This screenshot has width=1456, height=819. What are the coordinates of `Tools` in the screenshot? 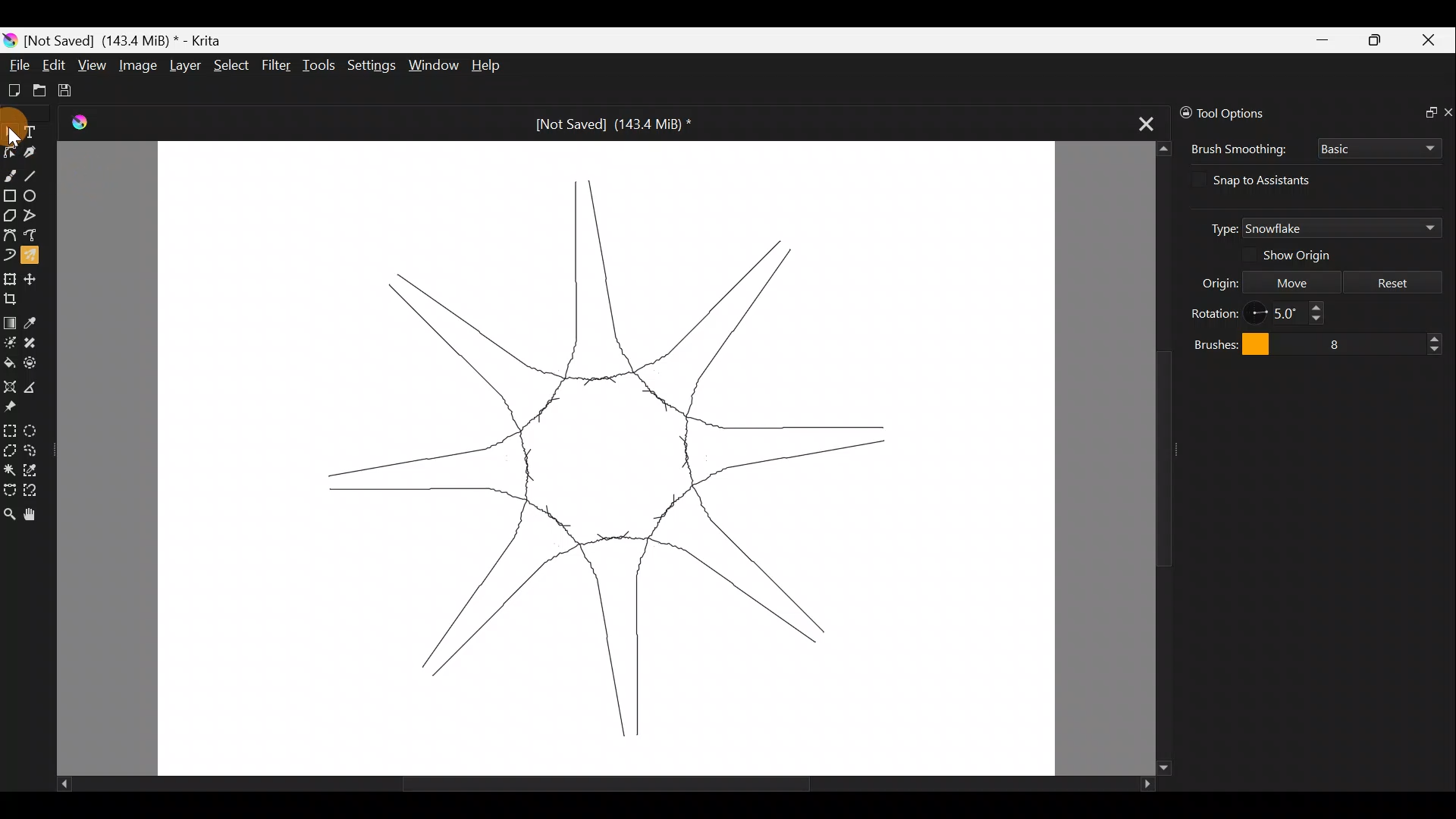 It's located at (319, 64).